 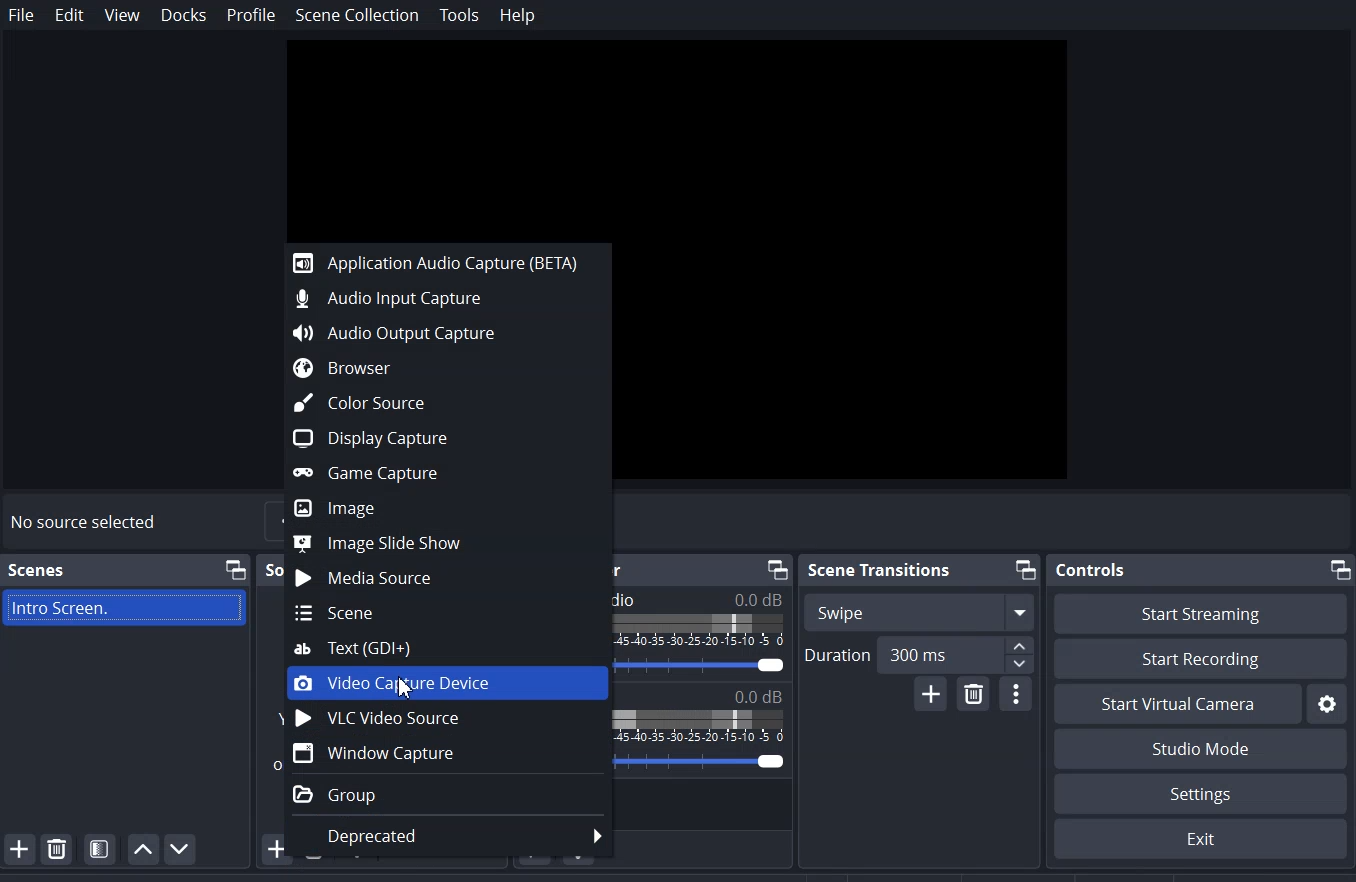 I want to click on Text, so click(x=700, y=693).